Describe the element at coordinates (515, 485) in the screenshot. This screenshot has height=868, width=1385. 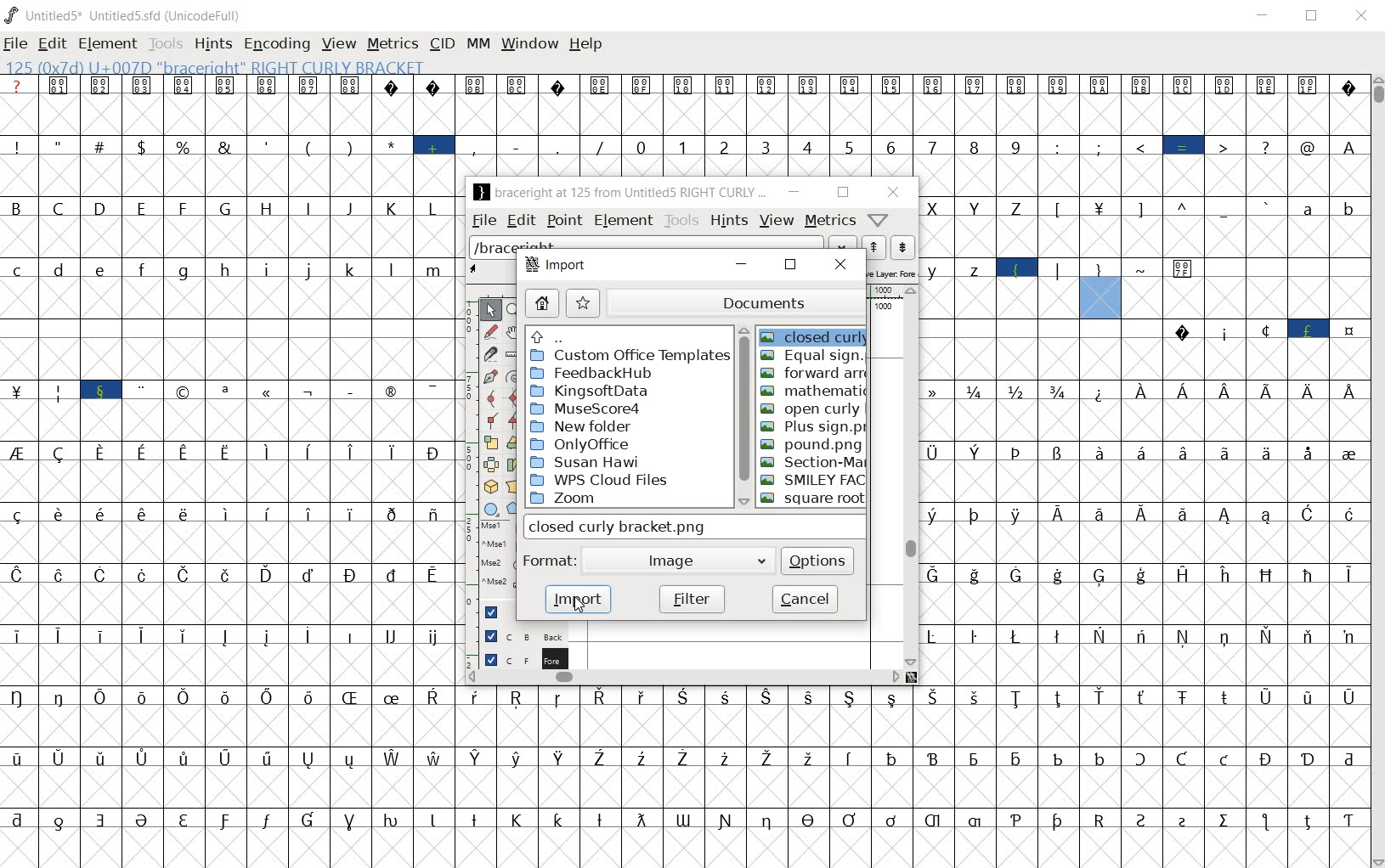
I see `perform a perspective transformation on the selection` at that location.